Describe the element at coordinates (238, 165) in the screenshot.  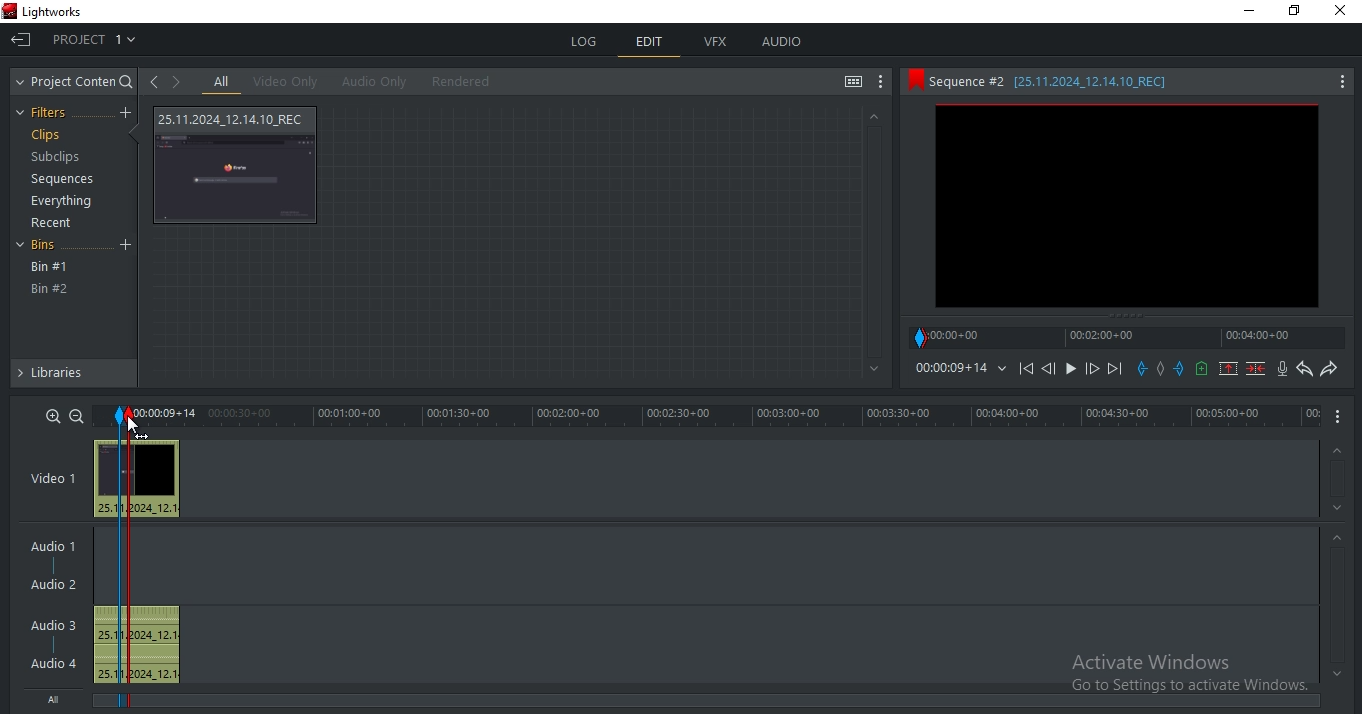
I see `video` at that location.